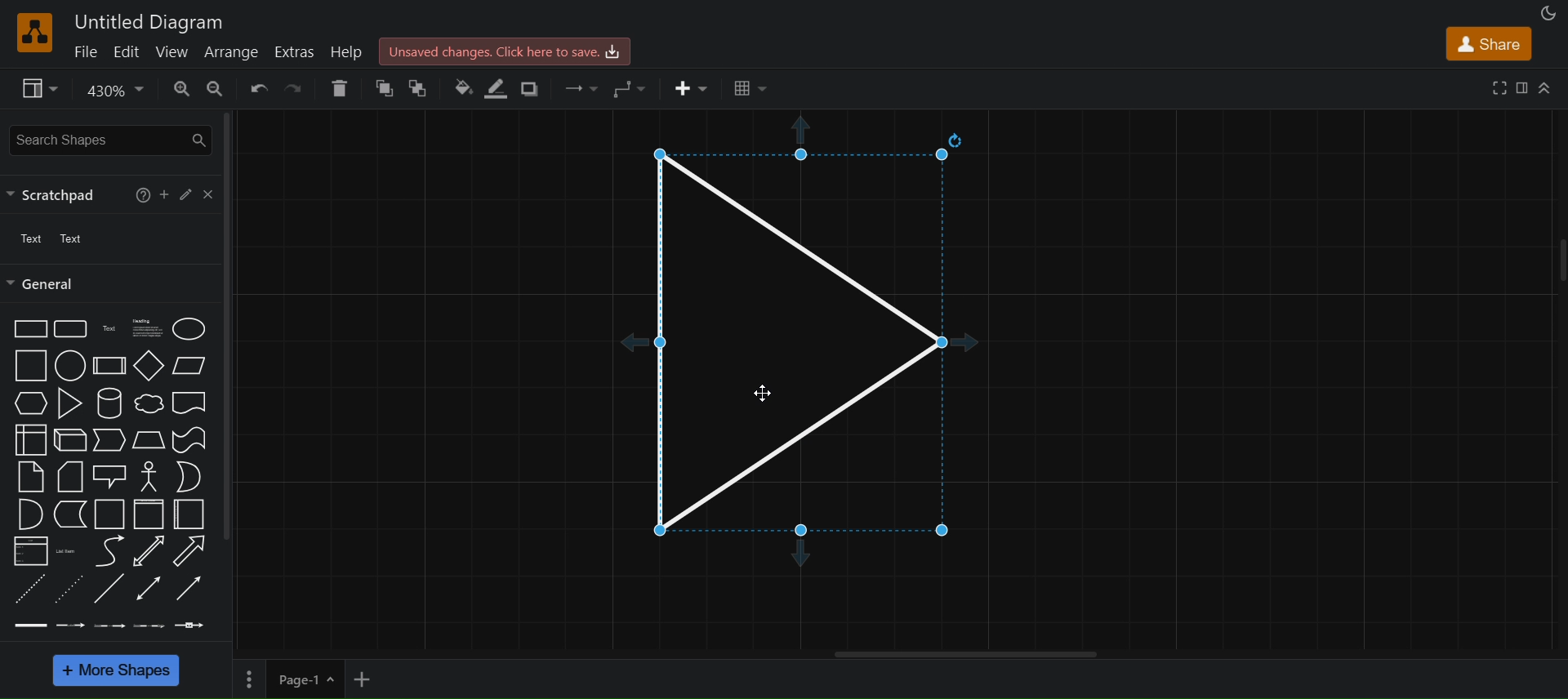 The image size is (1568, 699). I want to click on Unsaved changes. click here to save., so click(506, 50).